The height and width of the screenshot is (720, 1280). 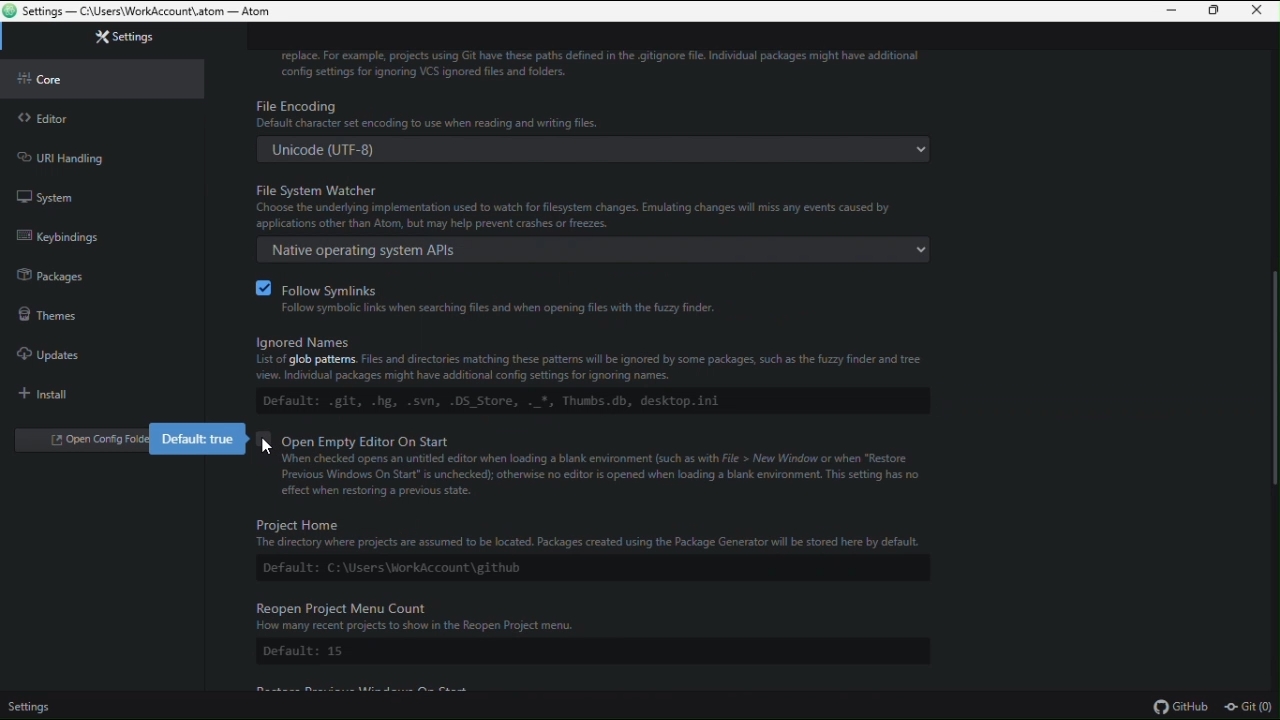 What do you see at coordinates (596, 532) in the screenshot?
I see `project home` at bounding box center [596, 532].